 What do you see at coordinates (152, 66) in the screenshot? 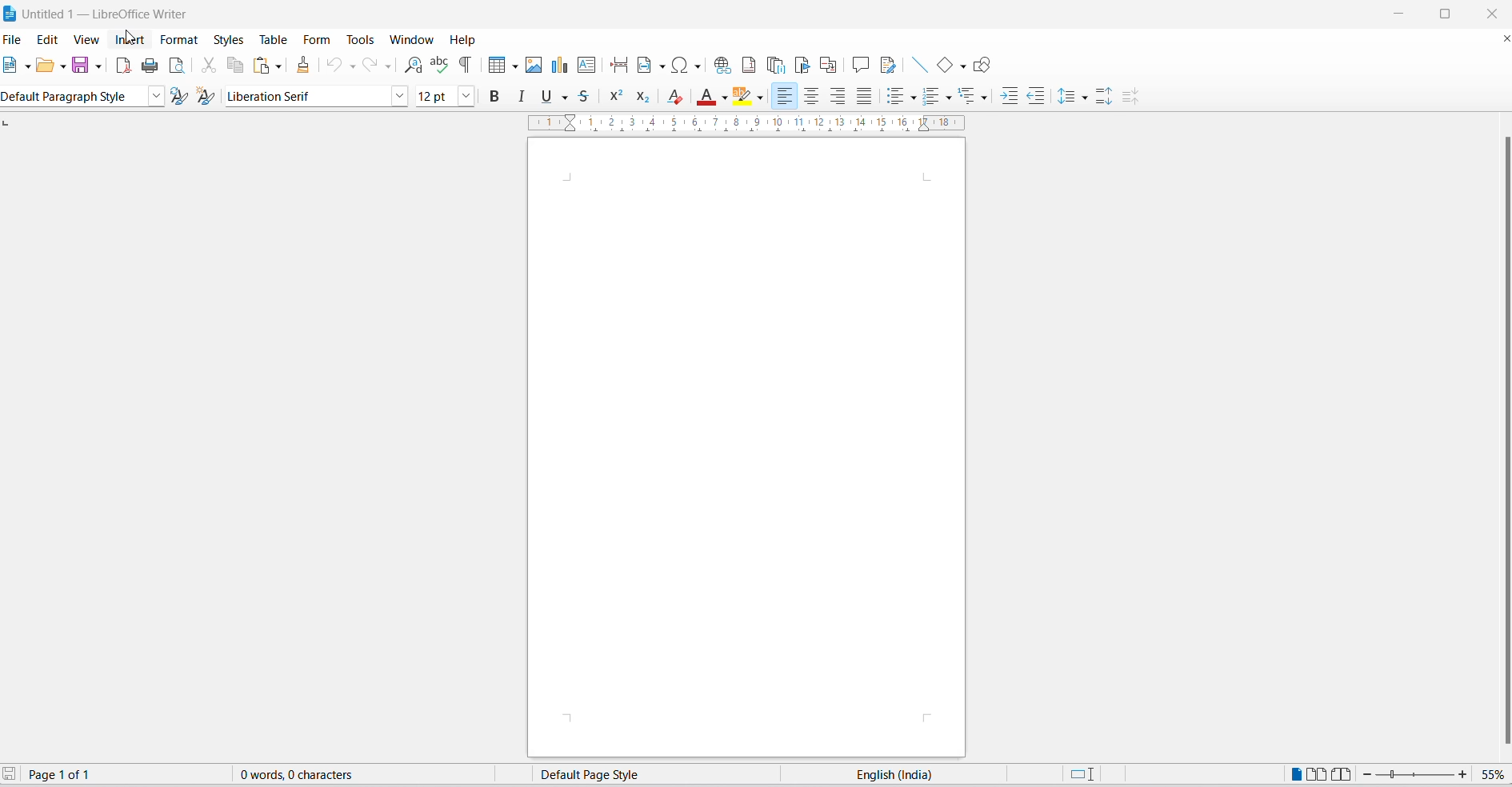
I see `print` at bounding box center [152, 66].